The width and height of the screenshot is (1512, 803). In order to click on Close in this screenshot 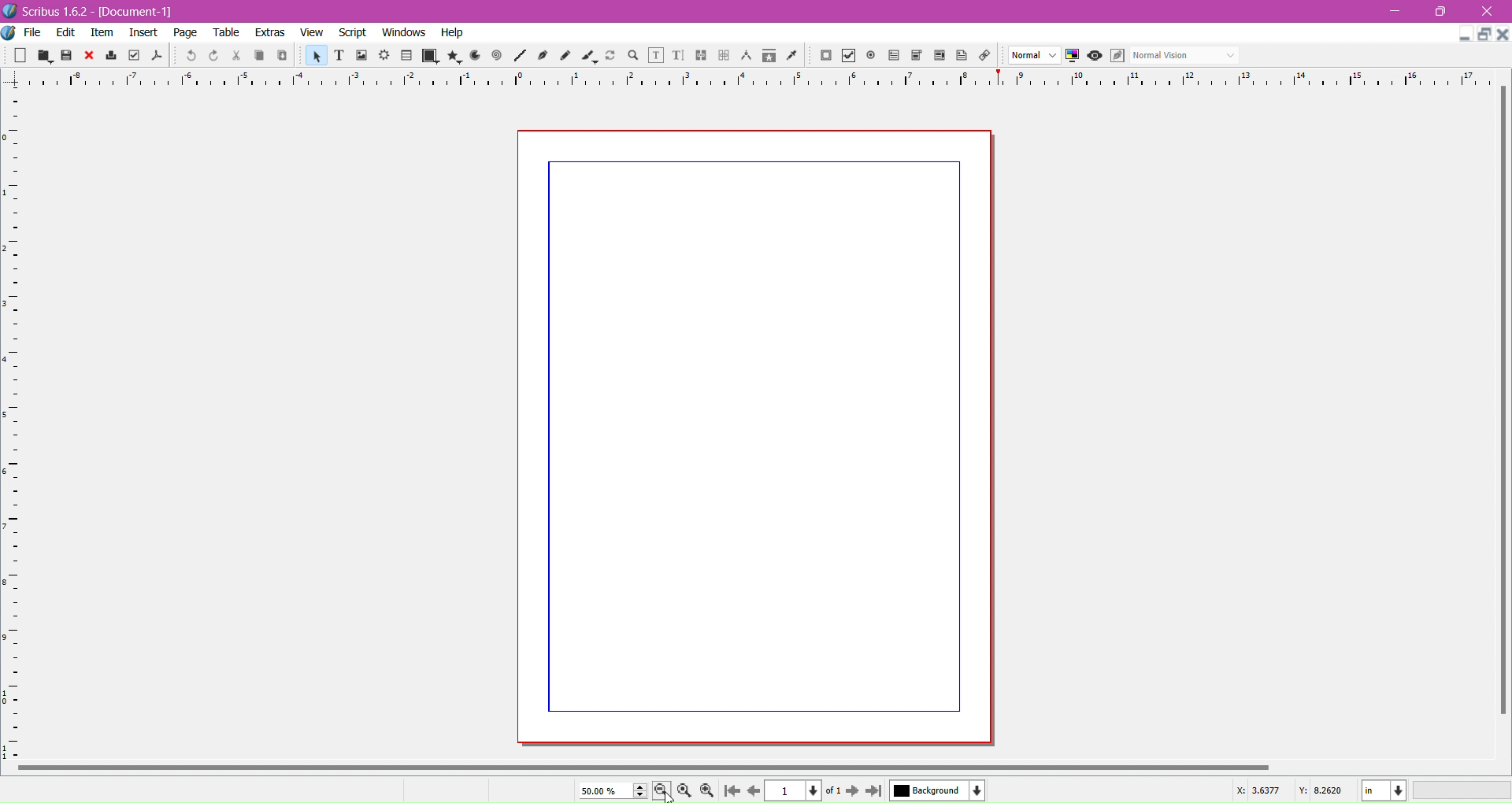, I will do `click(87, 56)`.